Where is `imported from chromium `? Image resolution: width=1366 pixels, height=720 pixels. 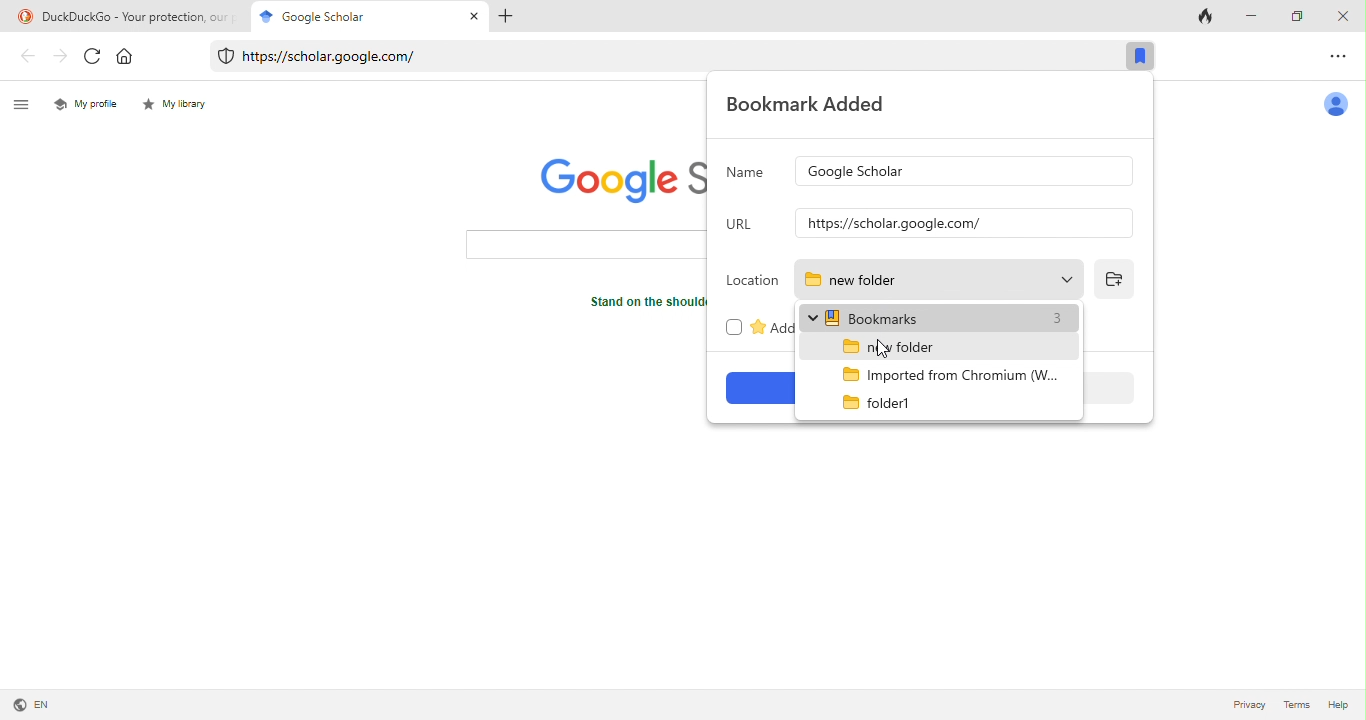
imported from chromium  is located at coordinates (955, 373).